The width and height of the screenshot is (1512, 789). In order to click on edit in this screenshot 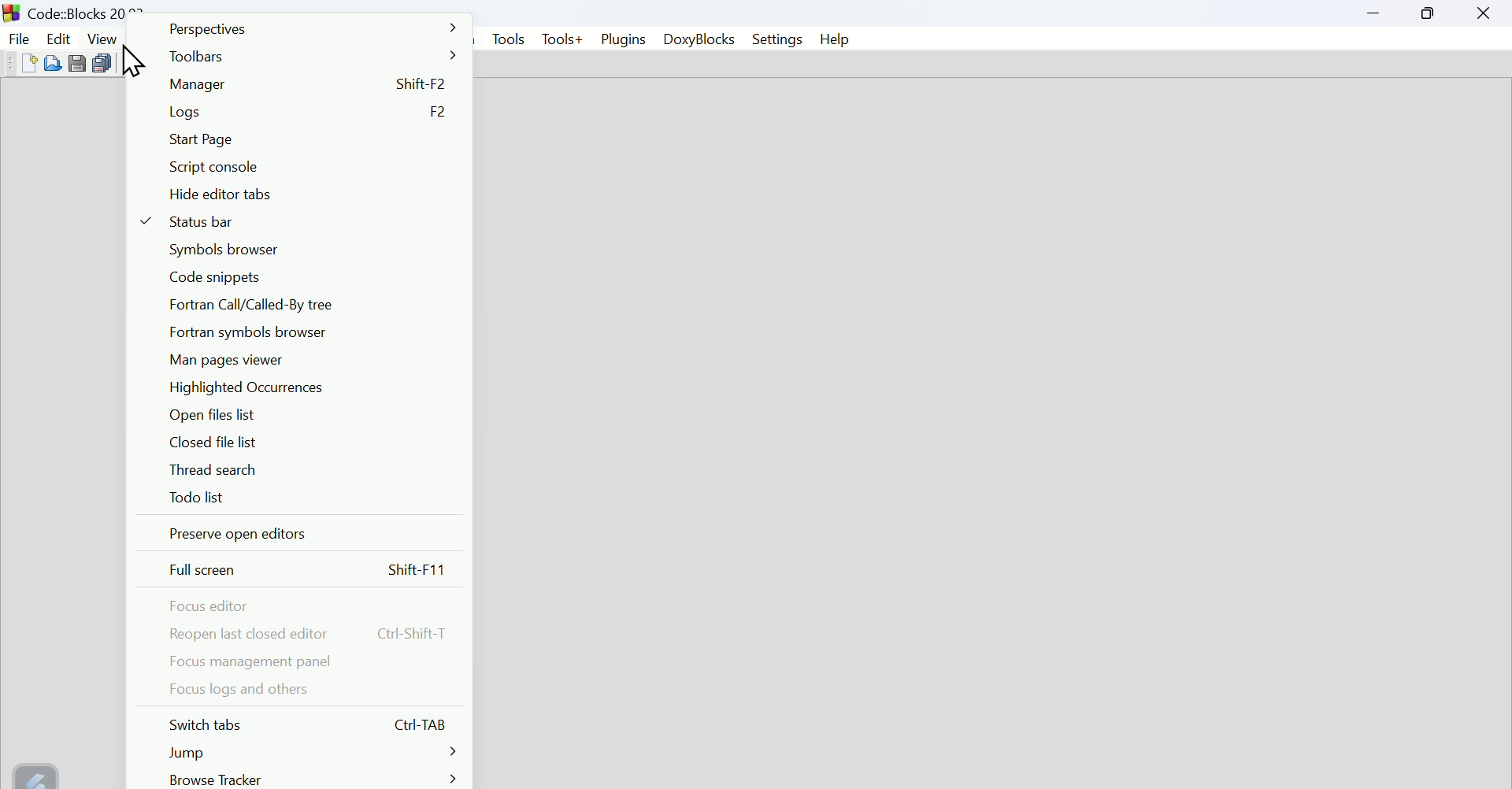, I will do `click(57, 38)`.